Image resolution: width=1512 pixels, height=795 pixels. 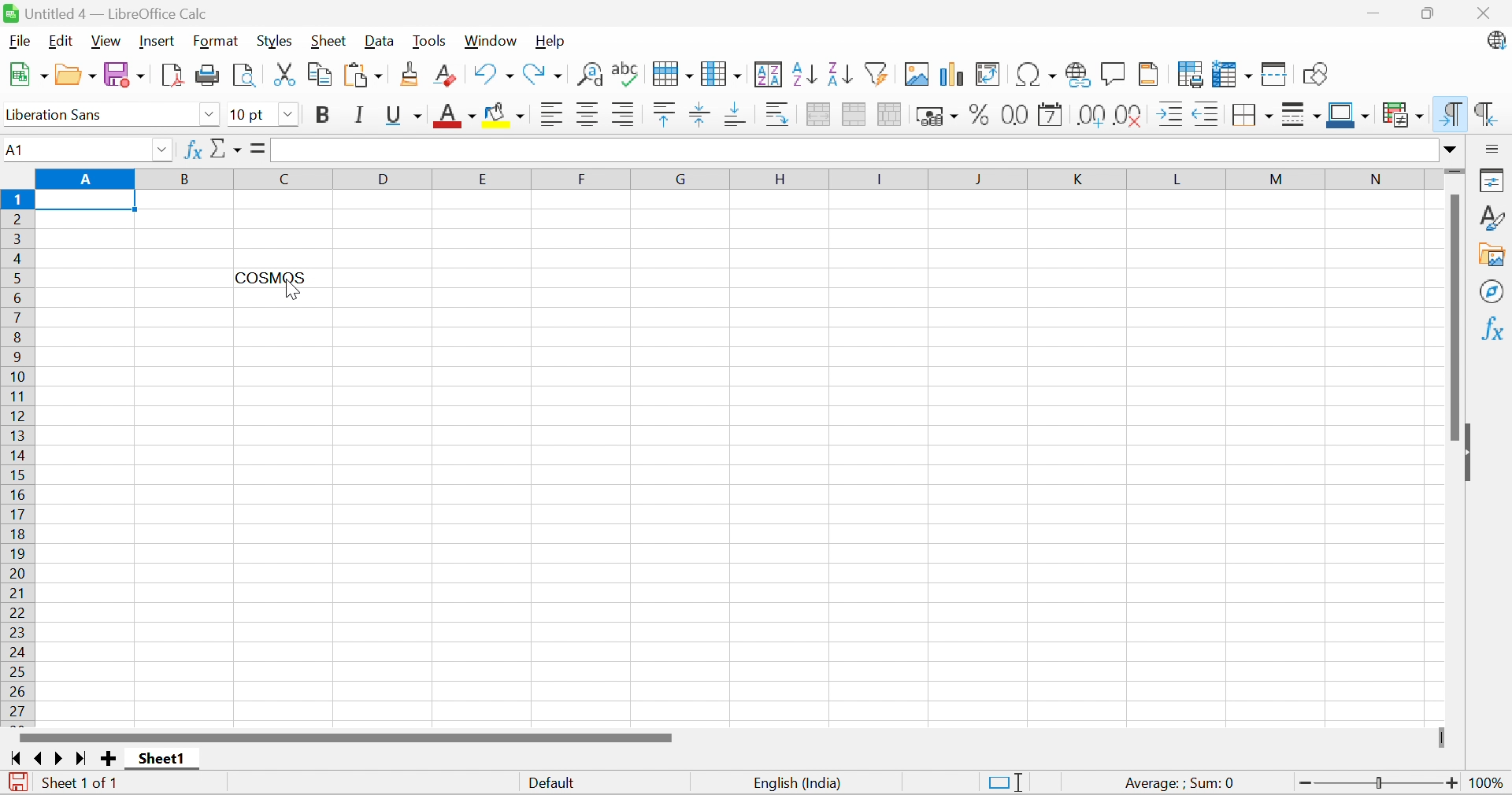 I want to click on The Document has modified. Click to save the document., so click(x=16, y=782).